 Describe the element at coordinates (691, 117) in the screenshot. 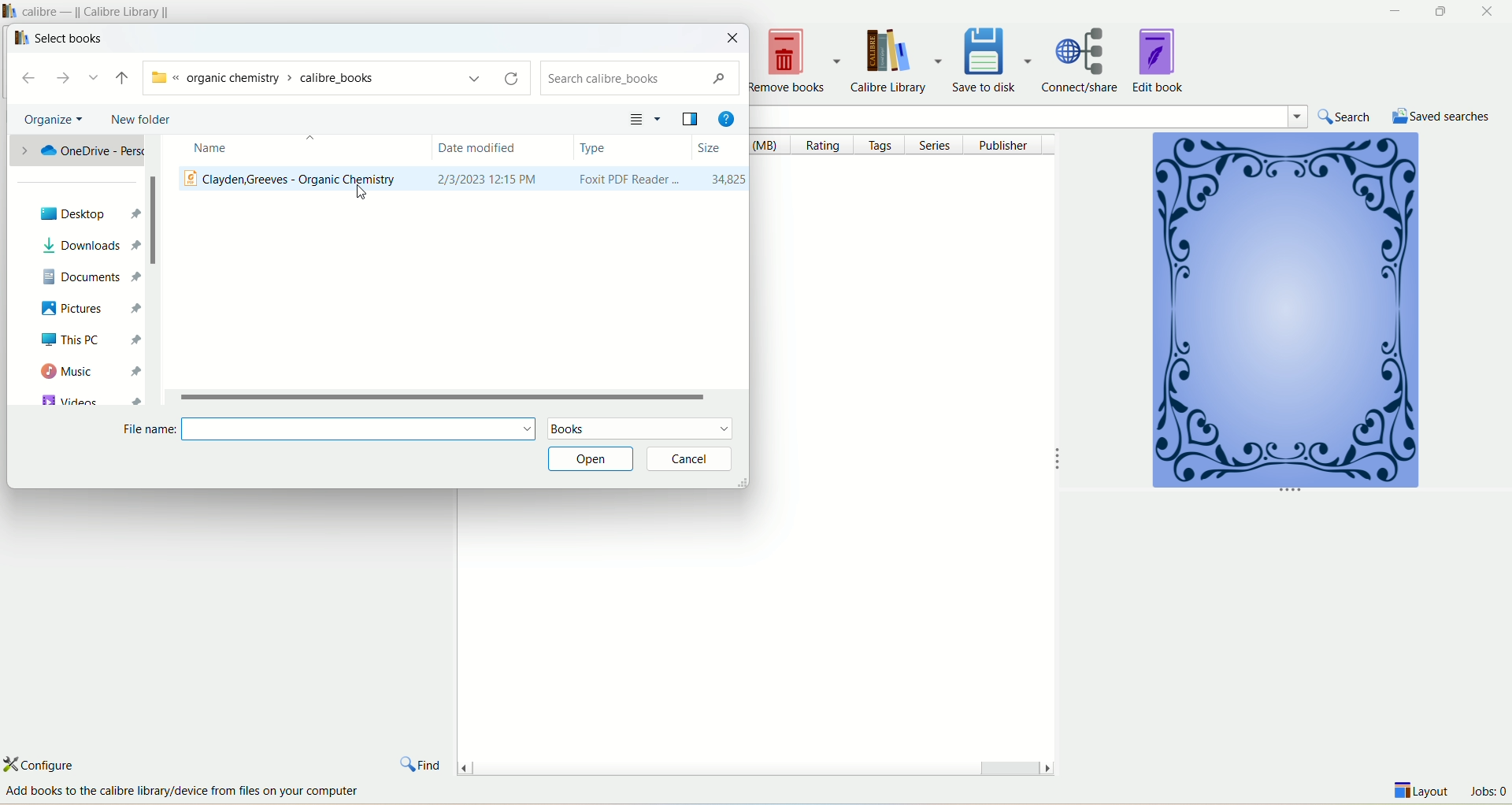

I see `preview` at that location.